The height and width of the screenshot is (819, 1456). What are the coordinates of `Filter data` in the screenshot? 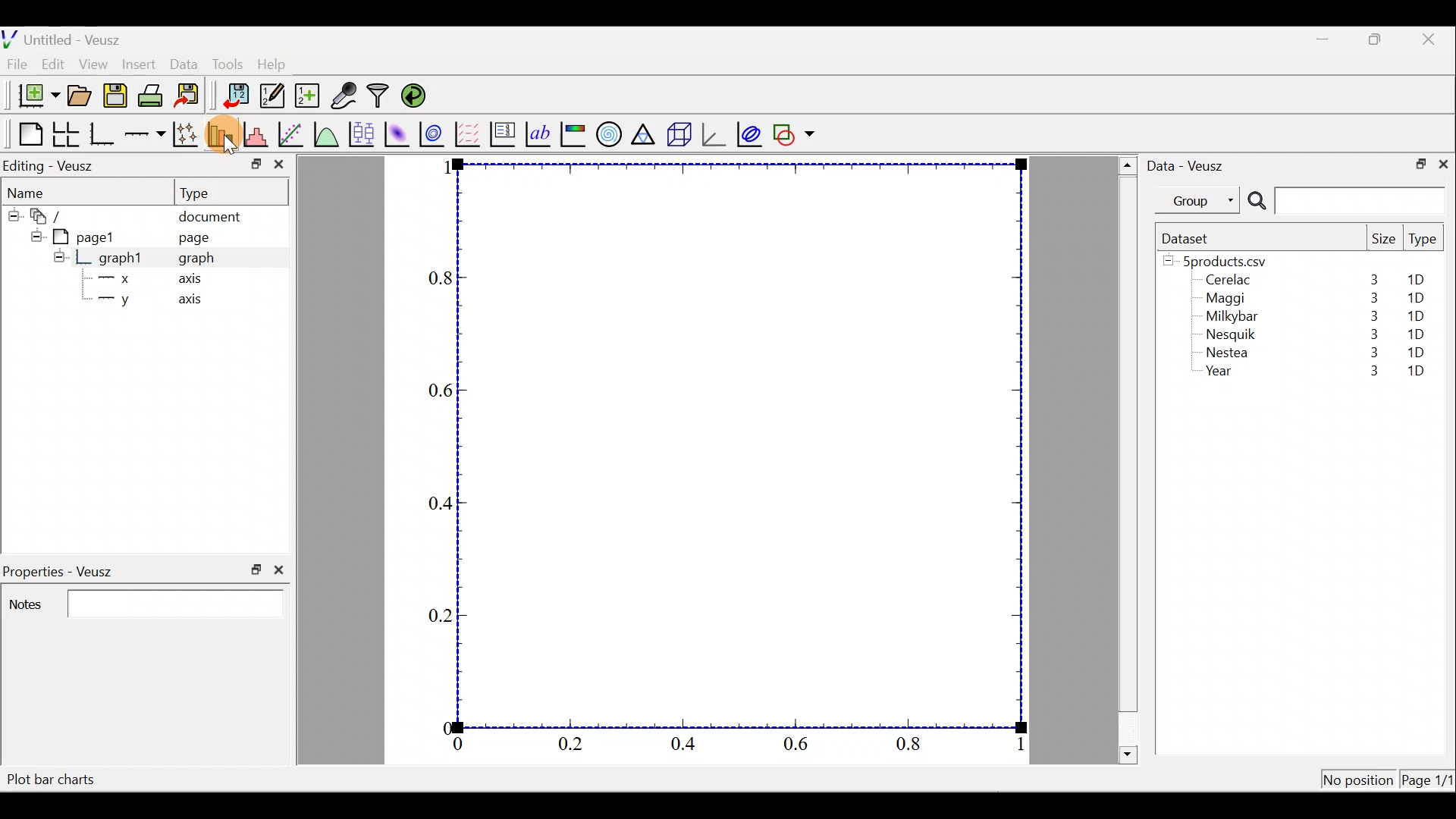 It's located at (381, 97).